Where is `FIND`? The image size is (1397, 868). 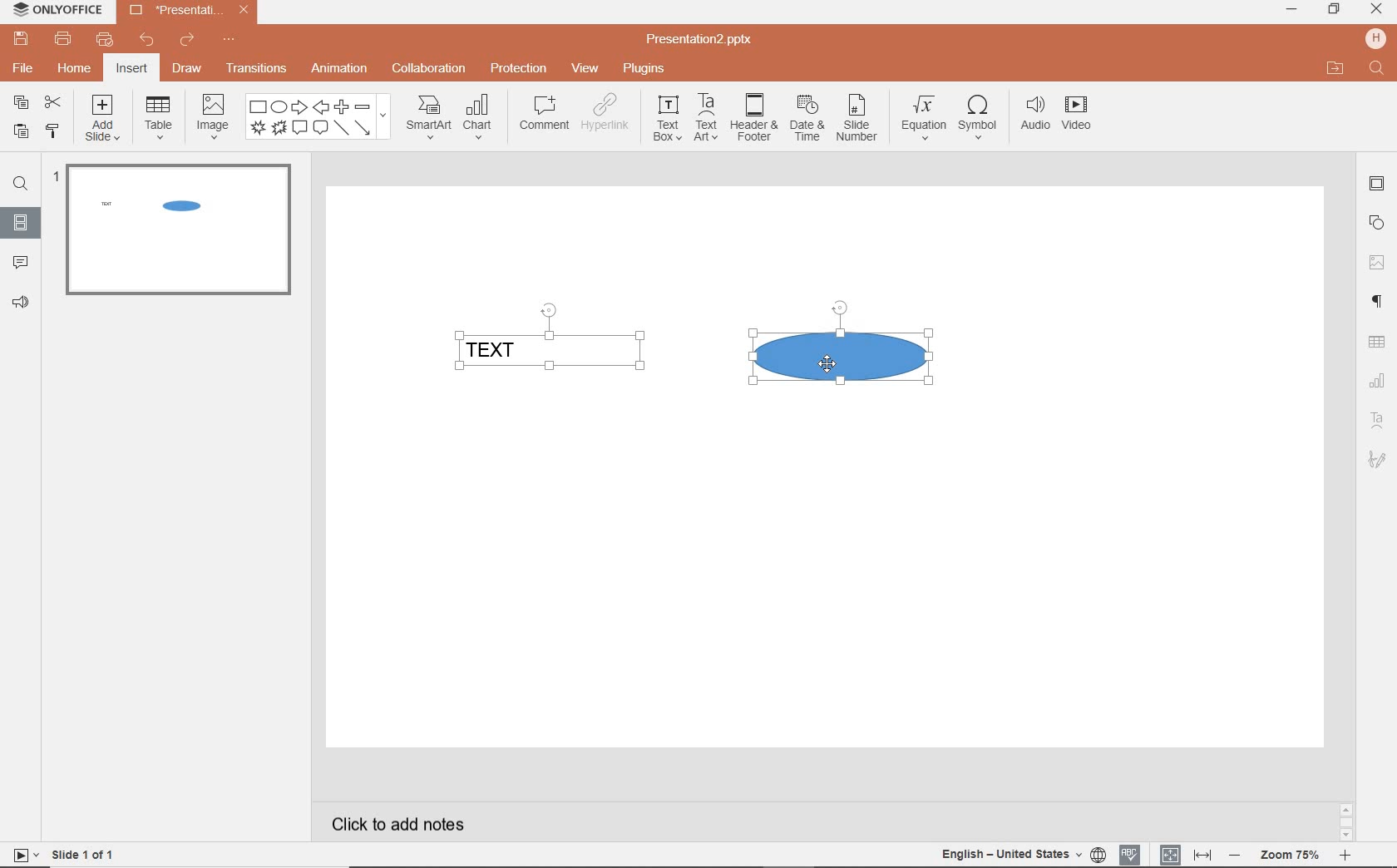 FIND is located at coordinates (1379, 70).